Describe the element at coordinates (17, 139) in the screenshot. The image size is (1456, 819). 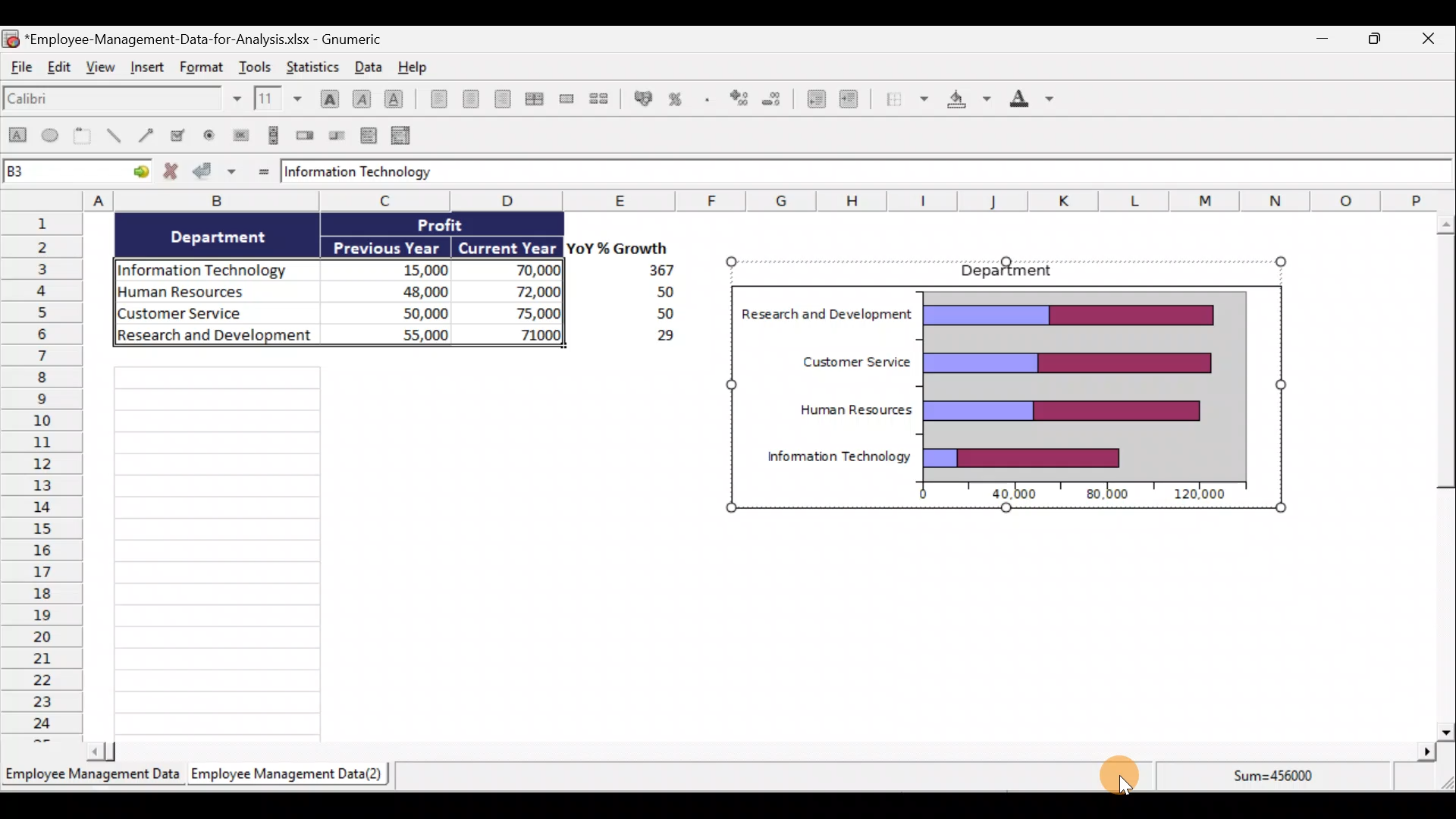
I see `Create a rectangle object` at that location.